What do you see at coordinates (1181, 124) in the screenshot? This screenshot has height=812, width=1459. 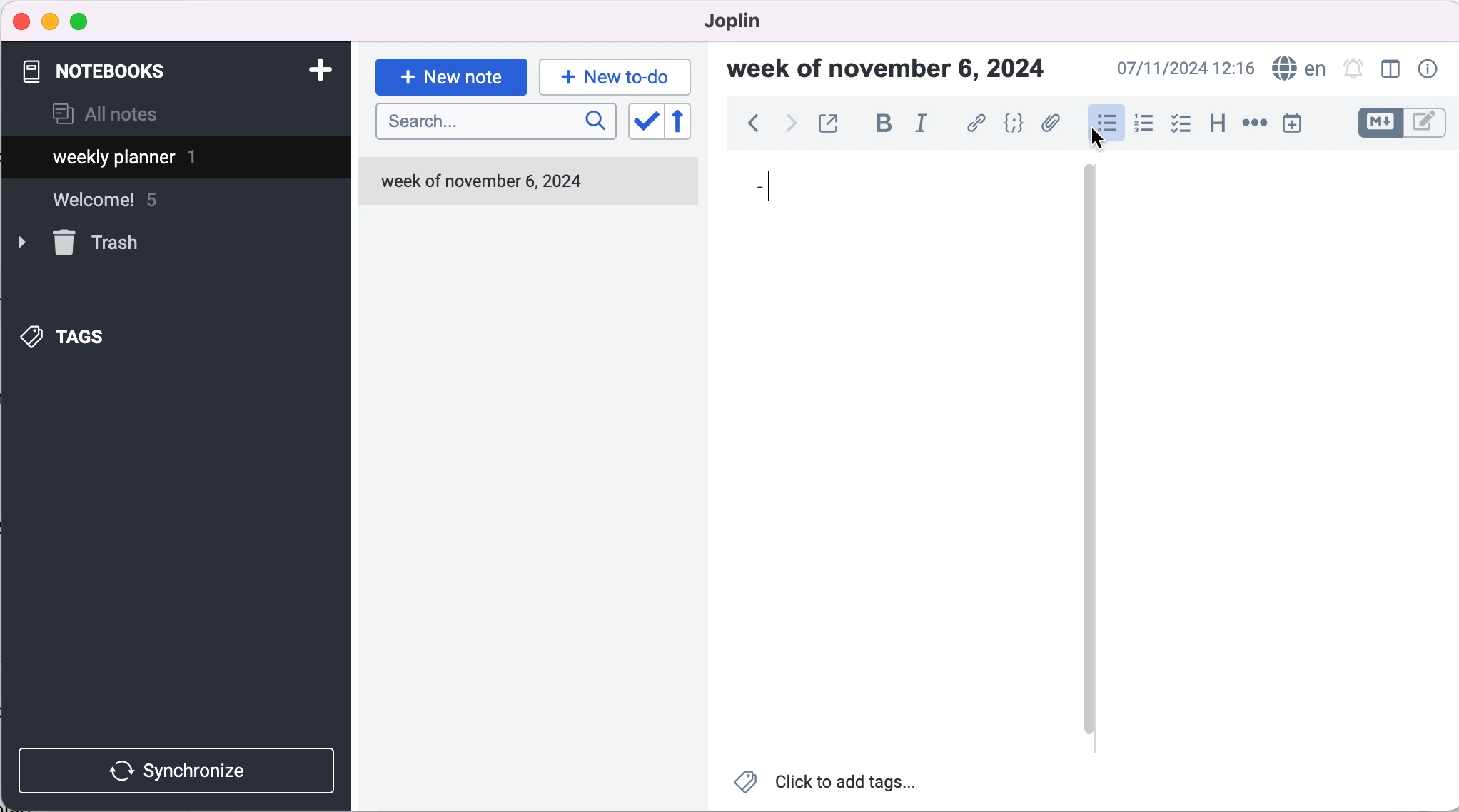 I see `checkbox` at bounding box center [1181, 124].